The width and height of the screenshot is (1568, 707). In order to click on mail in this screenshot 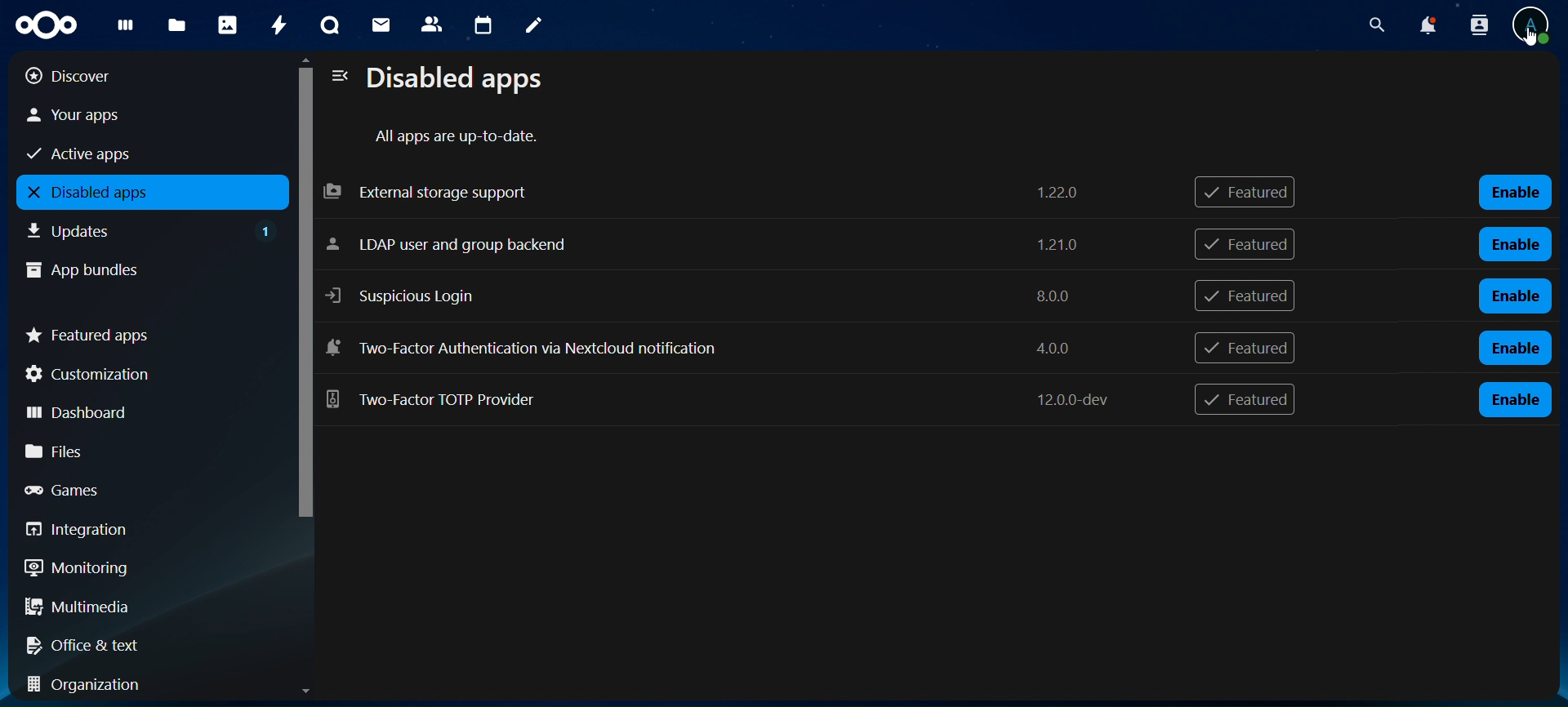, I will do `click(381, 23)`.